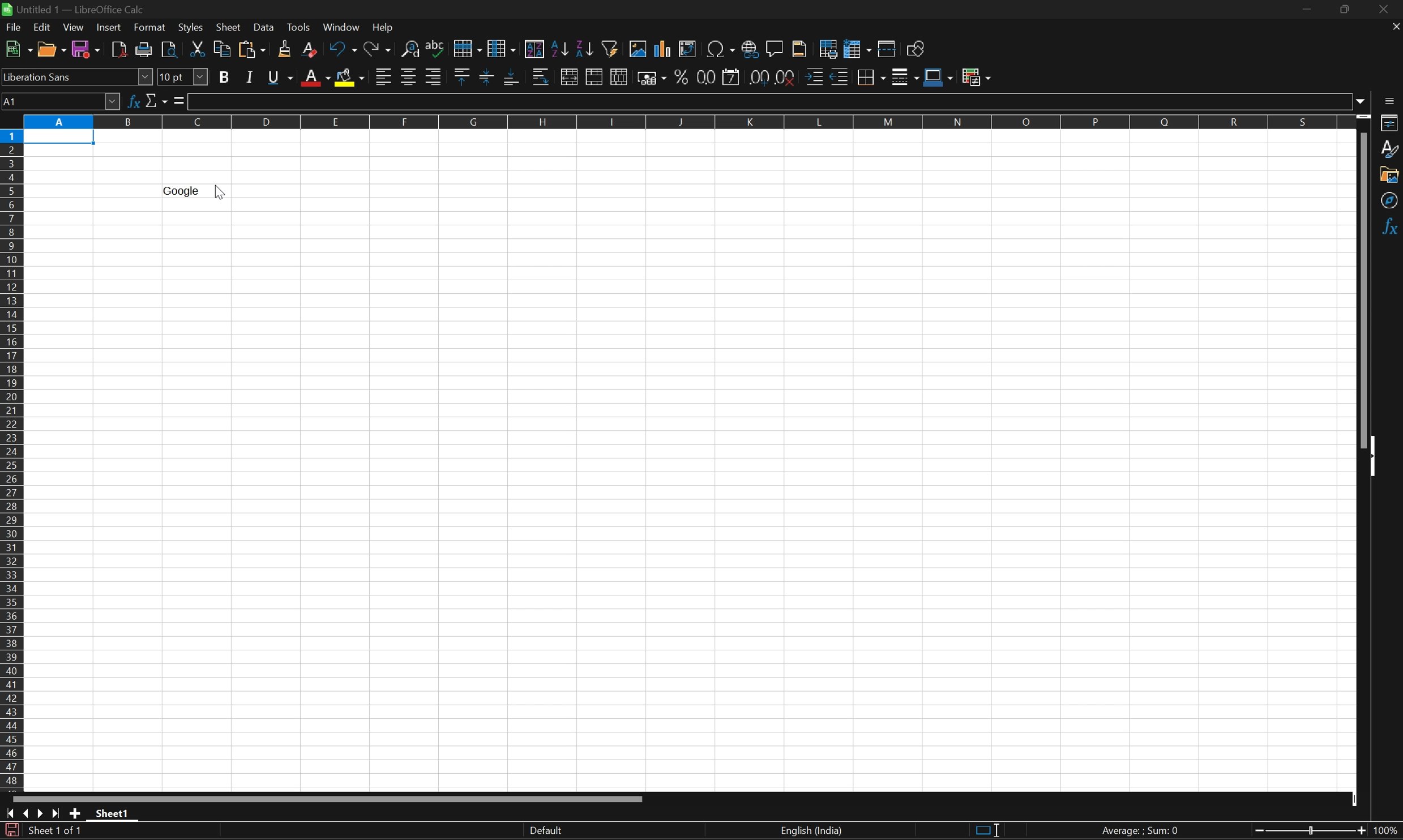 The width and height of the screenshot is (1403, 840). Describe the element at coordinates (810, 831) in the screenshot. I see `English (India)` at that location.